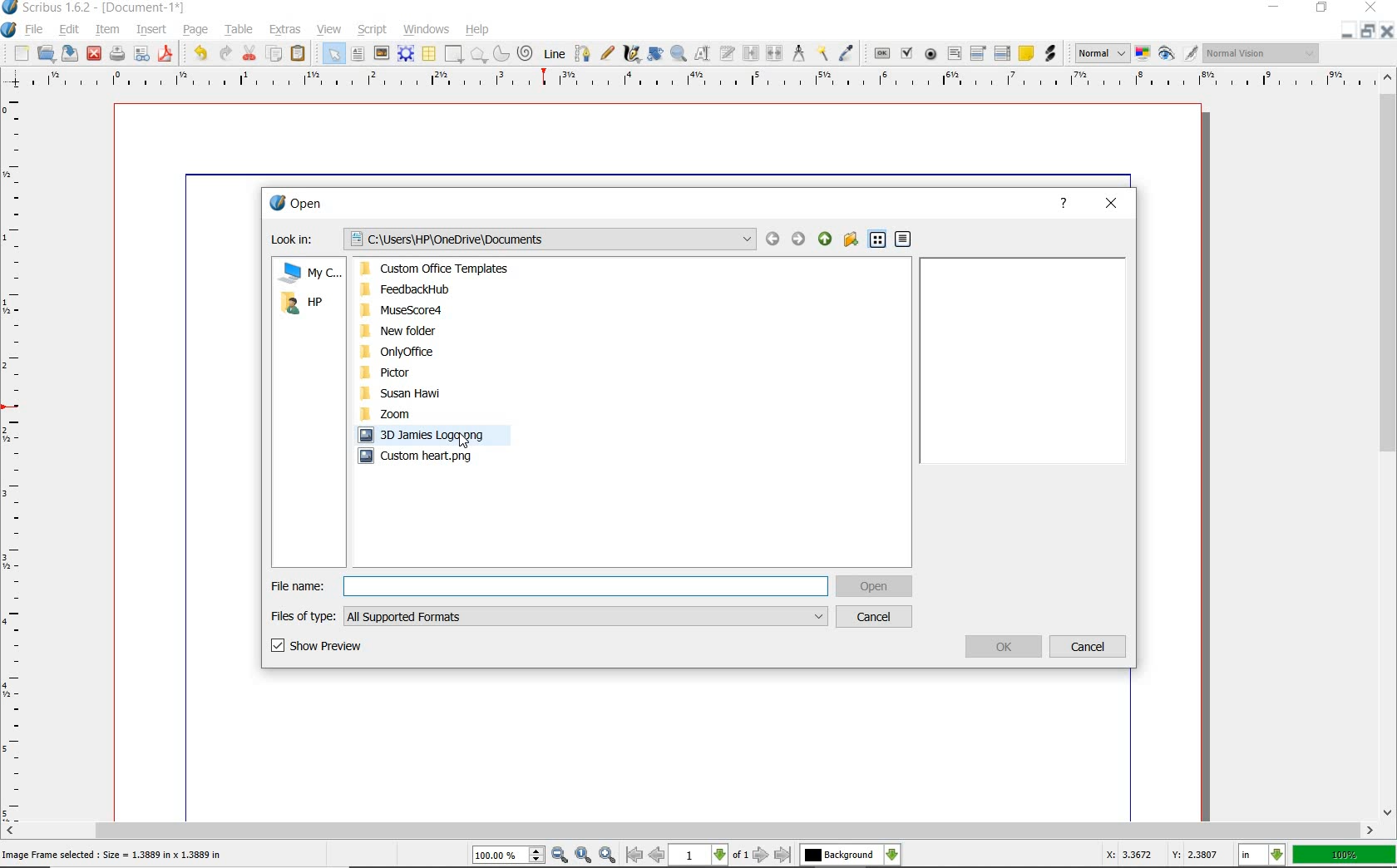  What do you see at coordinates (303, 303) in the screenshot?
I see `HP` at bounding box center [303, 303].